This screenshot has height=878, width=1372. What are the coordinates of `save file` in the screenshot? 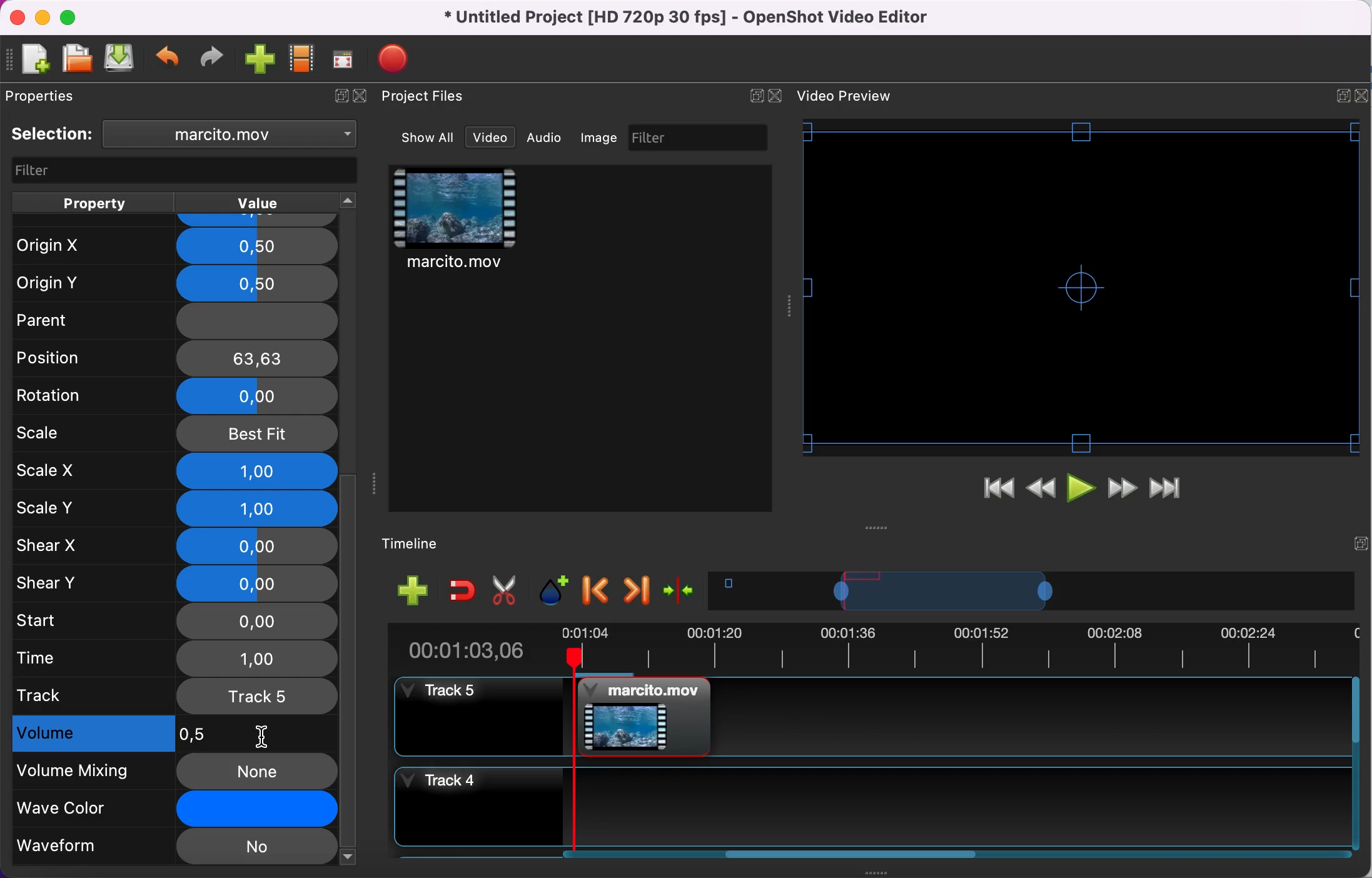 It's located at (121, 58).